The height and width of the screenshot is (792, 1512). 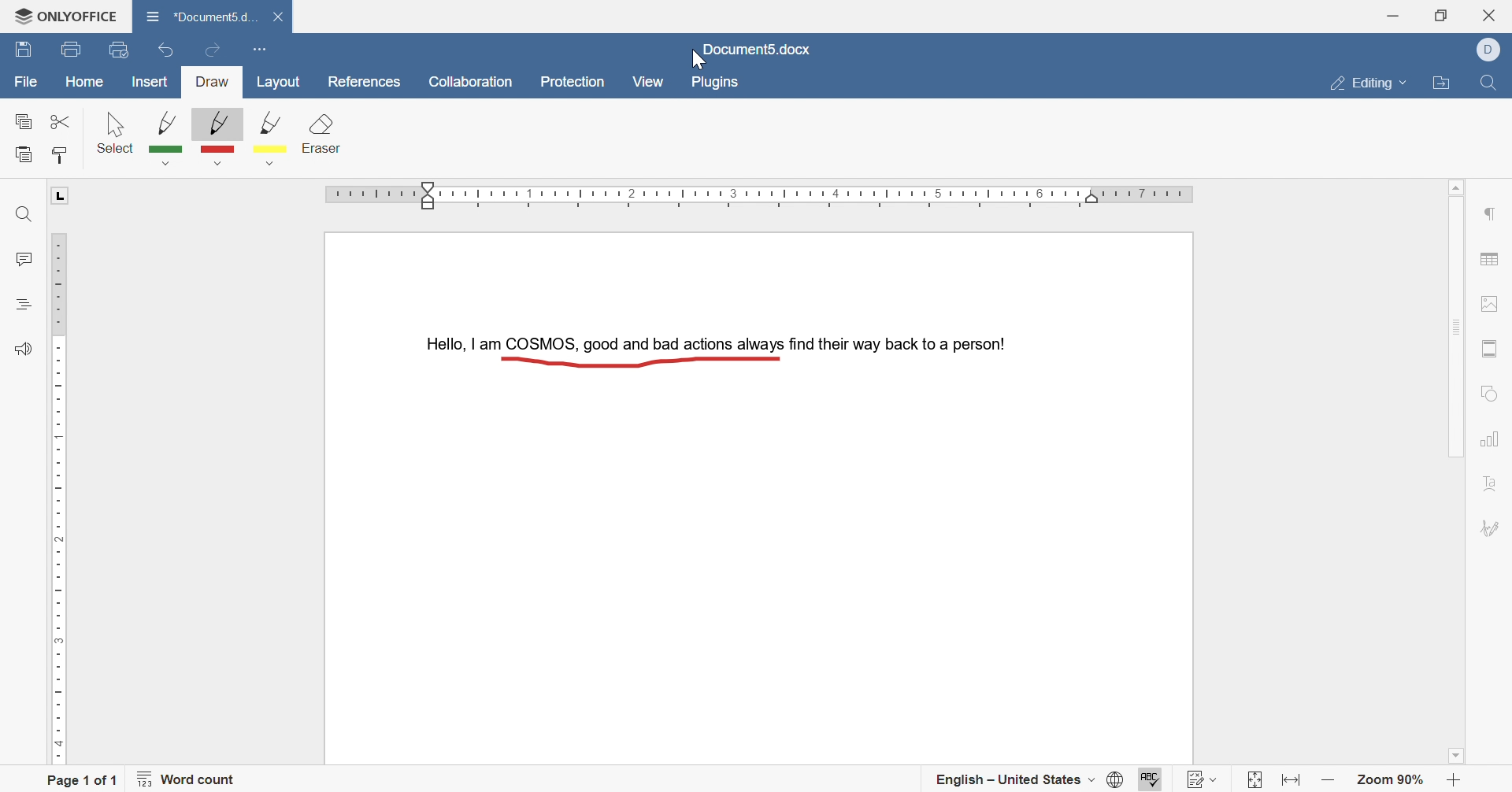 What do you see at coordinates (1455, 324) in the screenshot?
I see `scroll bar` at bounding box center [1455, 324].